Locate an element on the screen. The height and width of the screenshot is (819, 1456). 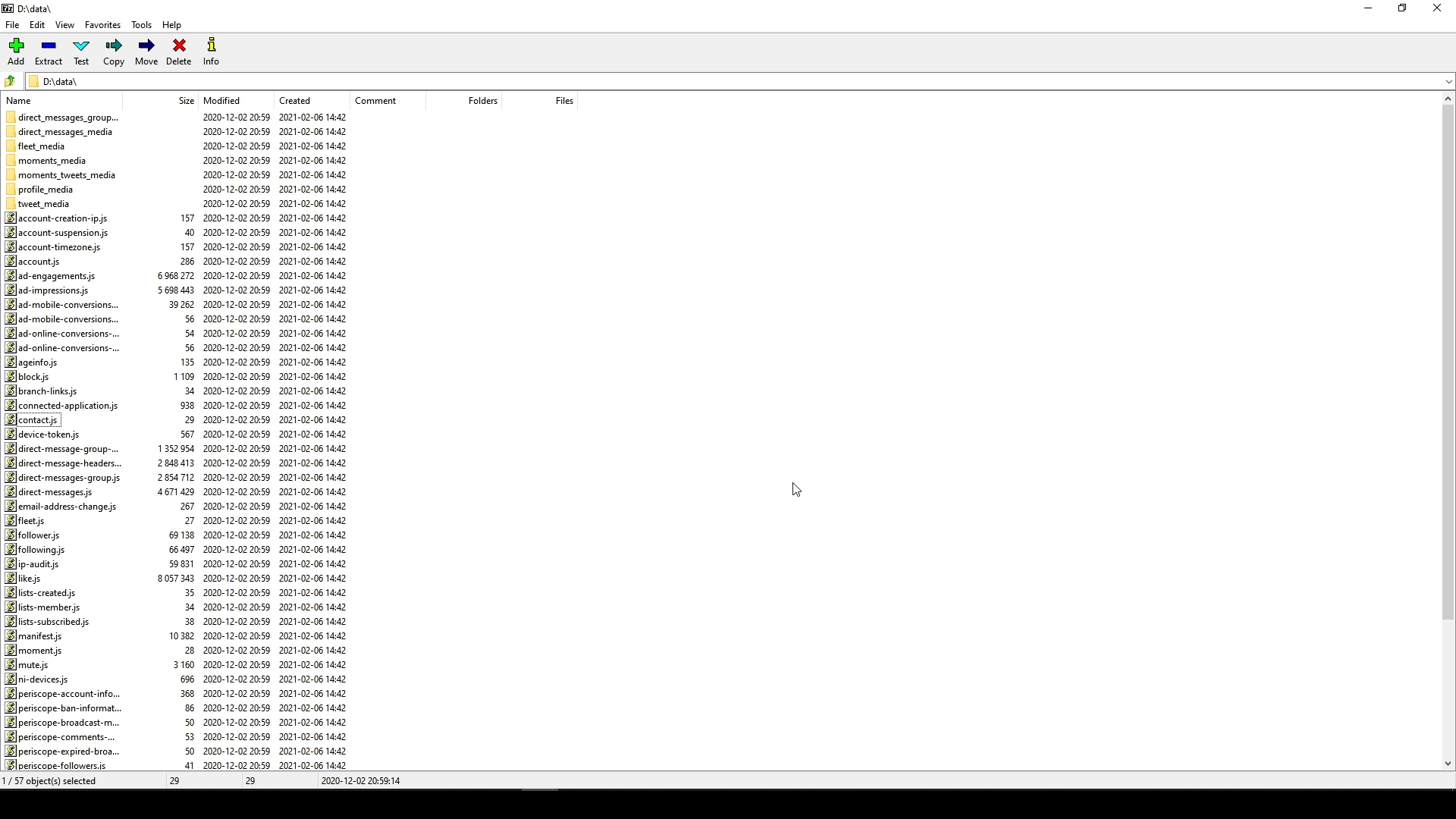
tweet_media is located at coordinates (47, 203).